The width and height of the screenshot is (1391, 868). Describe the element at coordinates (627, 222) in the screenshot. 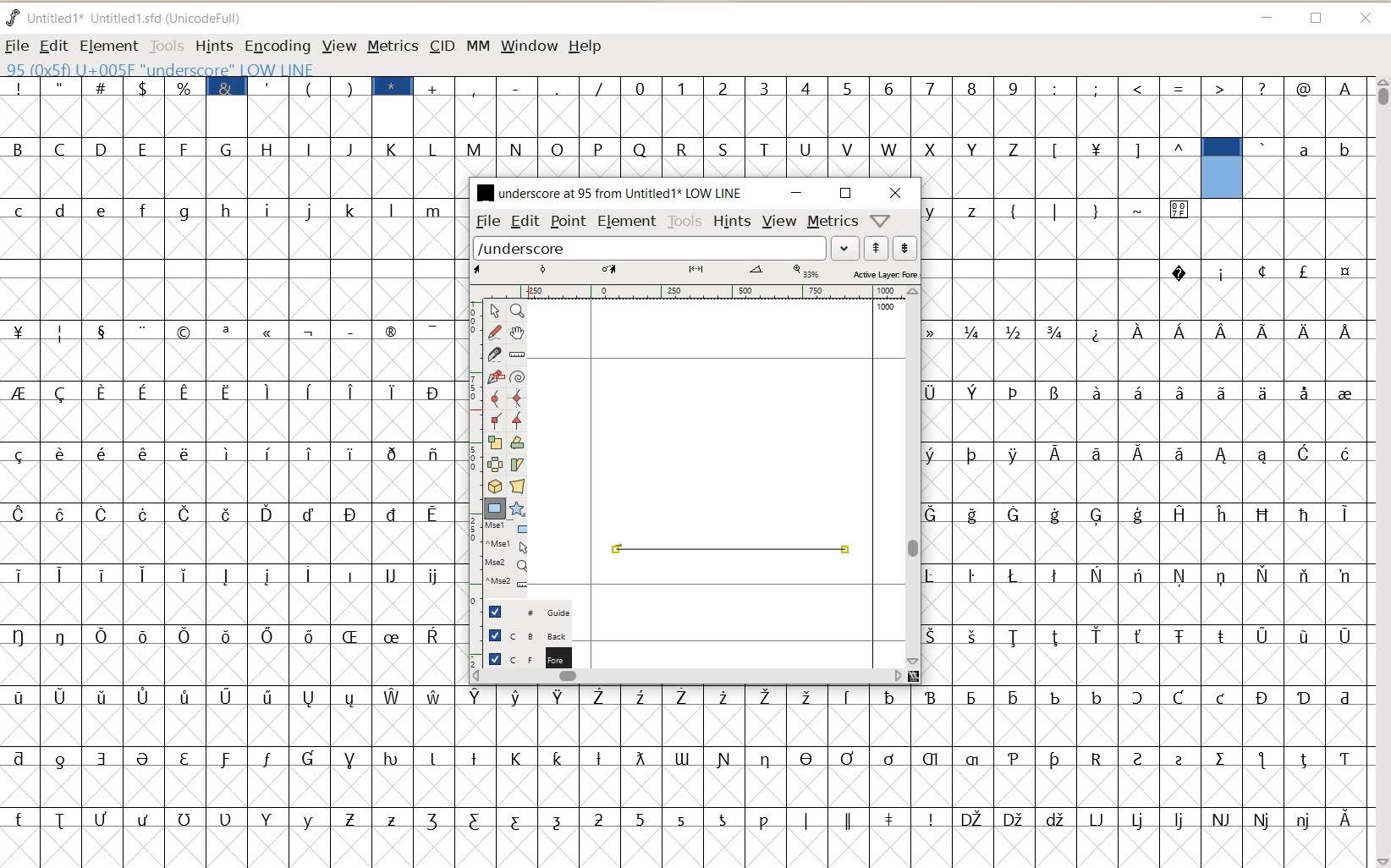

I see `ELEMENT` at that location.